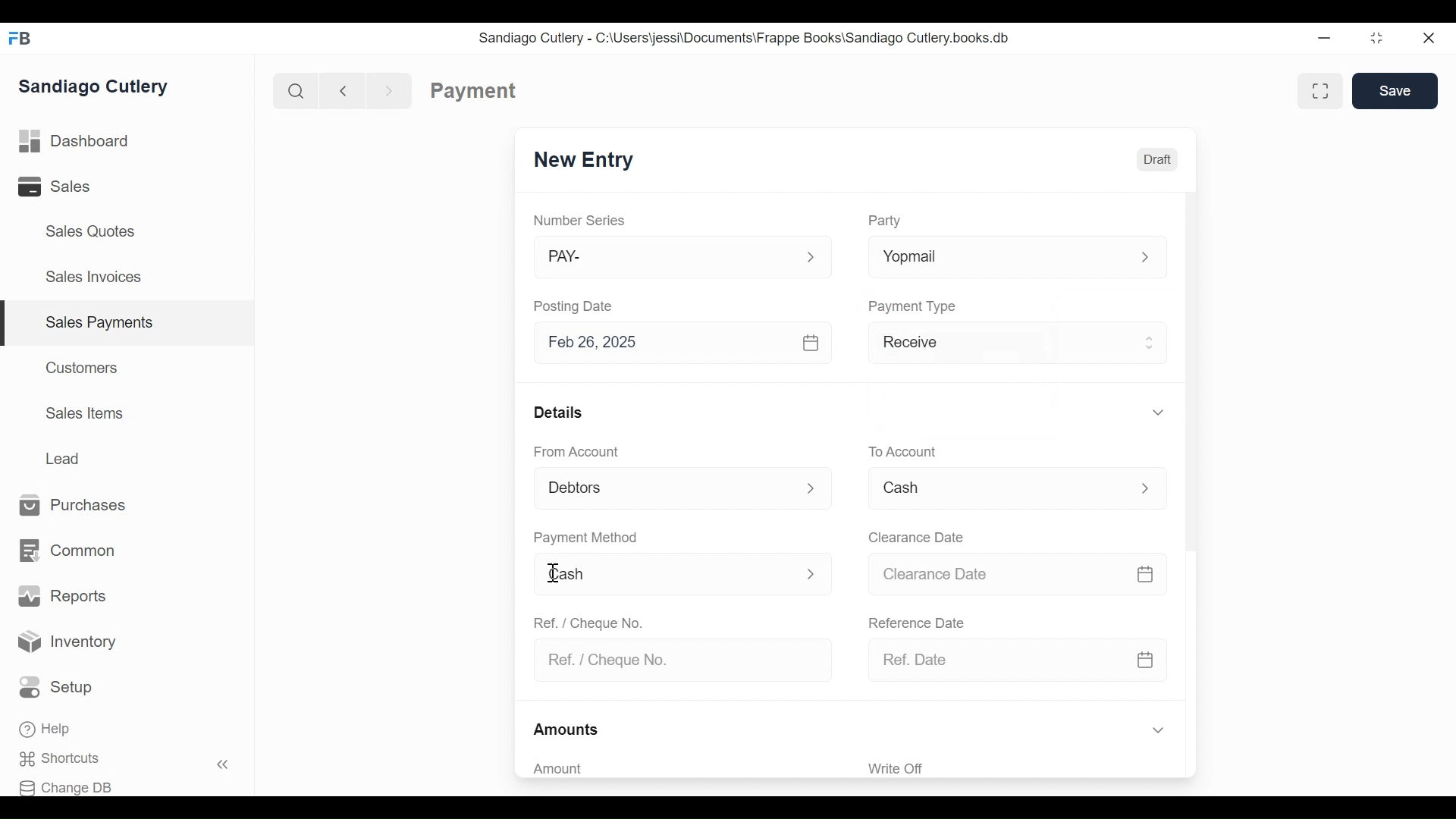 The width and height of the screenshot is (1456, 819). Describe the element at coordinates (814, 488) in the screenshot. I see `Expand` at that location.